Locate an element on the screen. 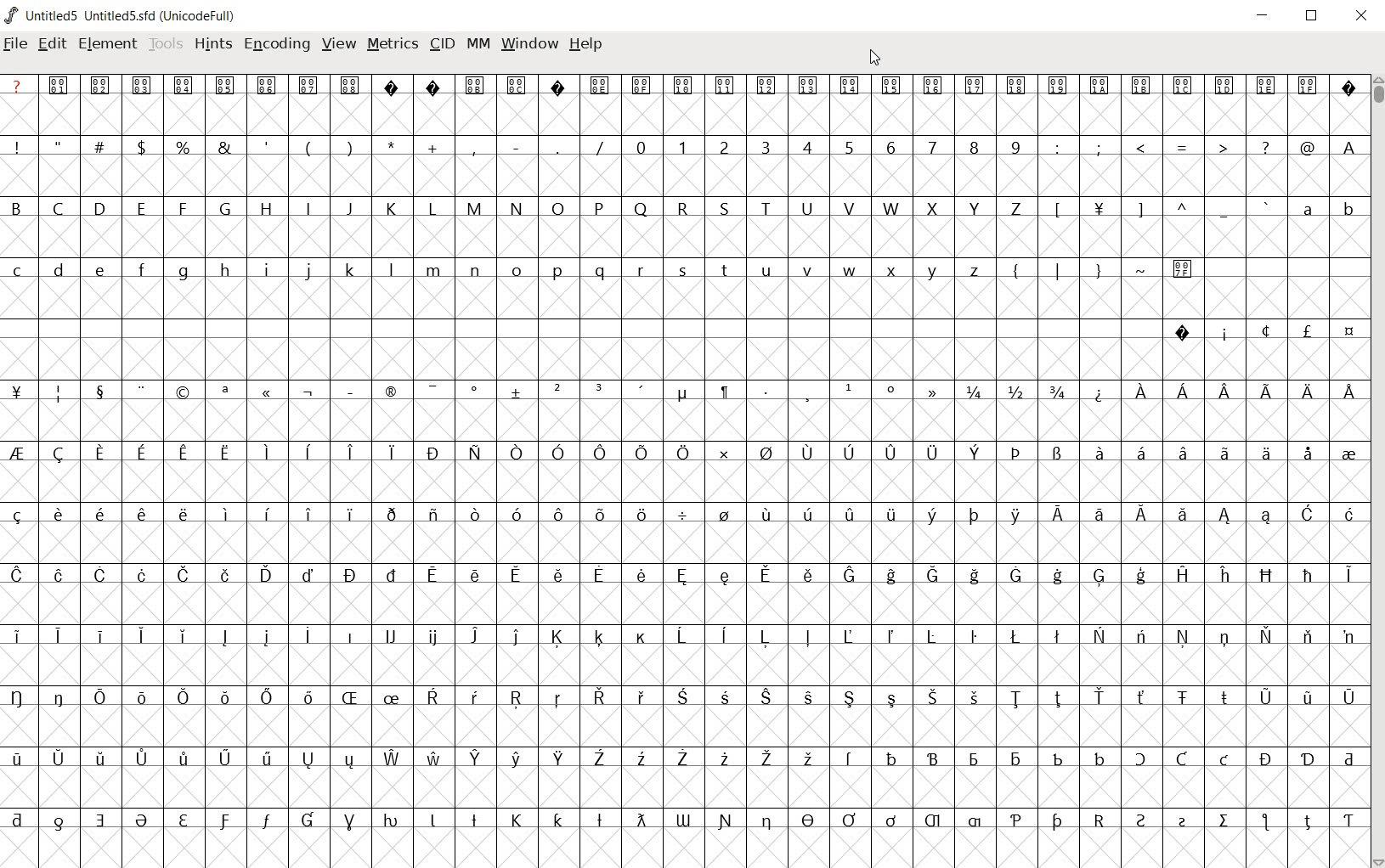 The width and height of the screenshot is (1385, 868). Symbol is located at coordinates (140, 758).